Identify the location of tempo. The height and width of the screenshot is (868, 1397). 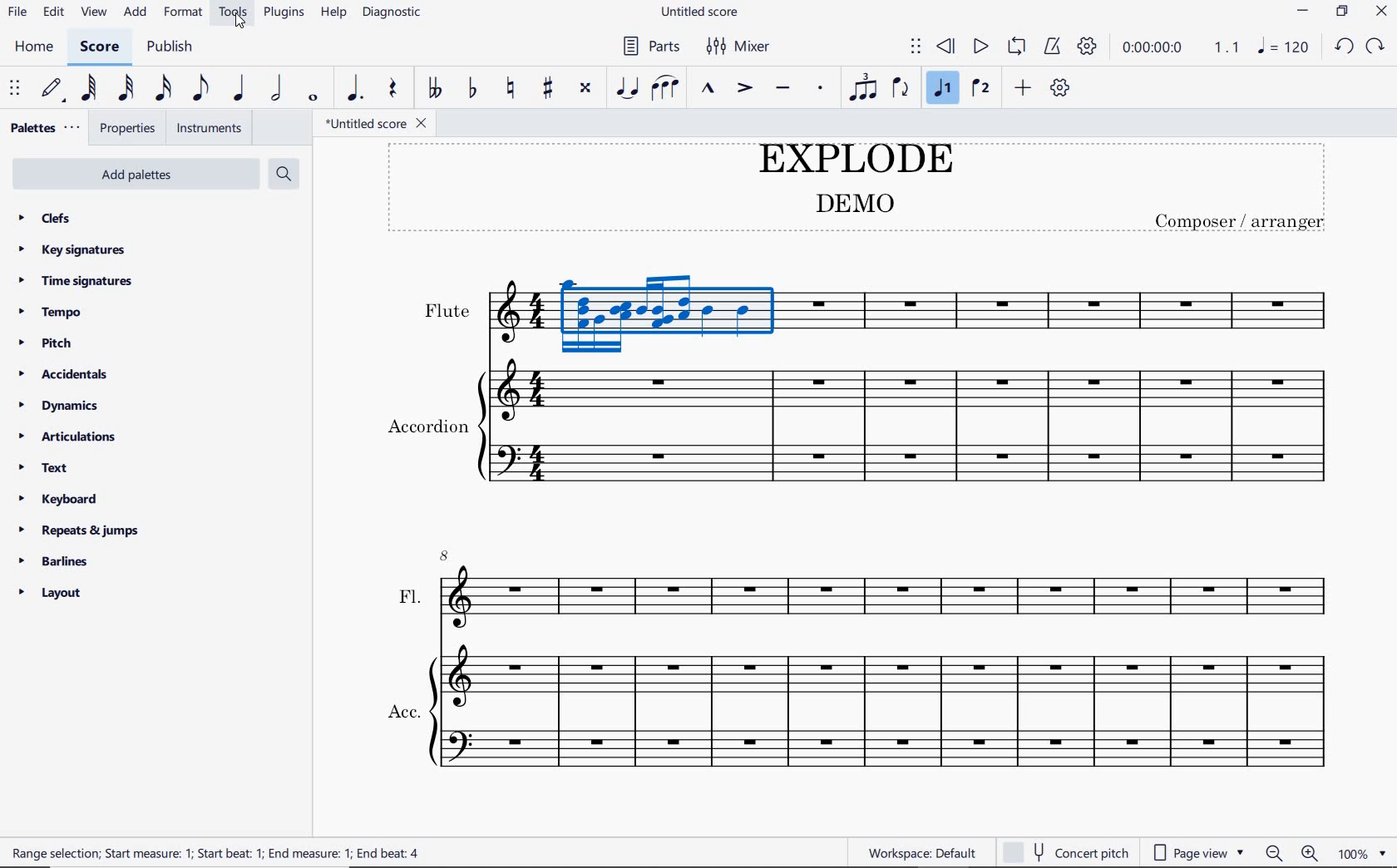
(53, 313).